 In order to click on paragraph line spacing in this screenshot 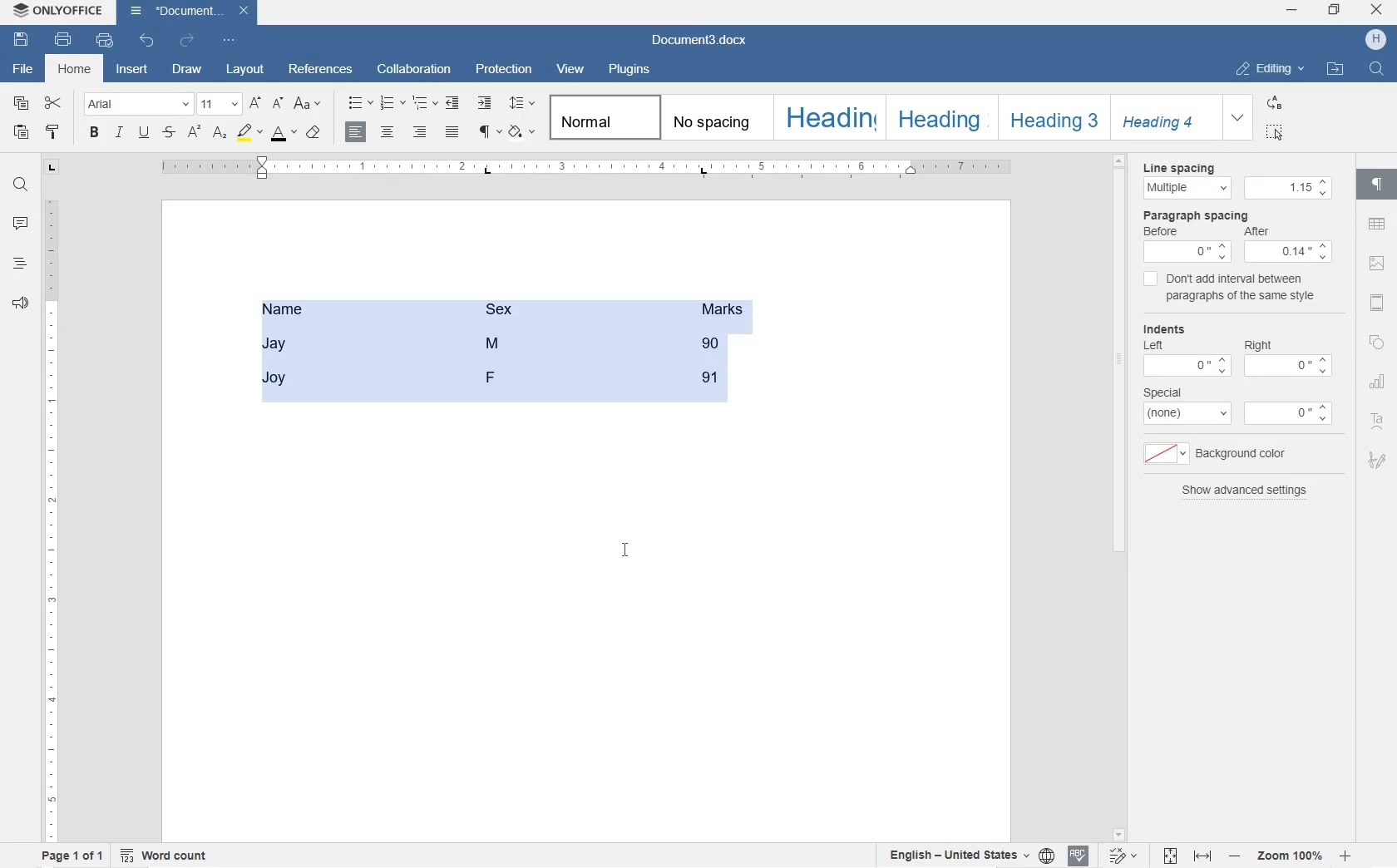, I will do `click(1202, 215)`.